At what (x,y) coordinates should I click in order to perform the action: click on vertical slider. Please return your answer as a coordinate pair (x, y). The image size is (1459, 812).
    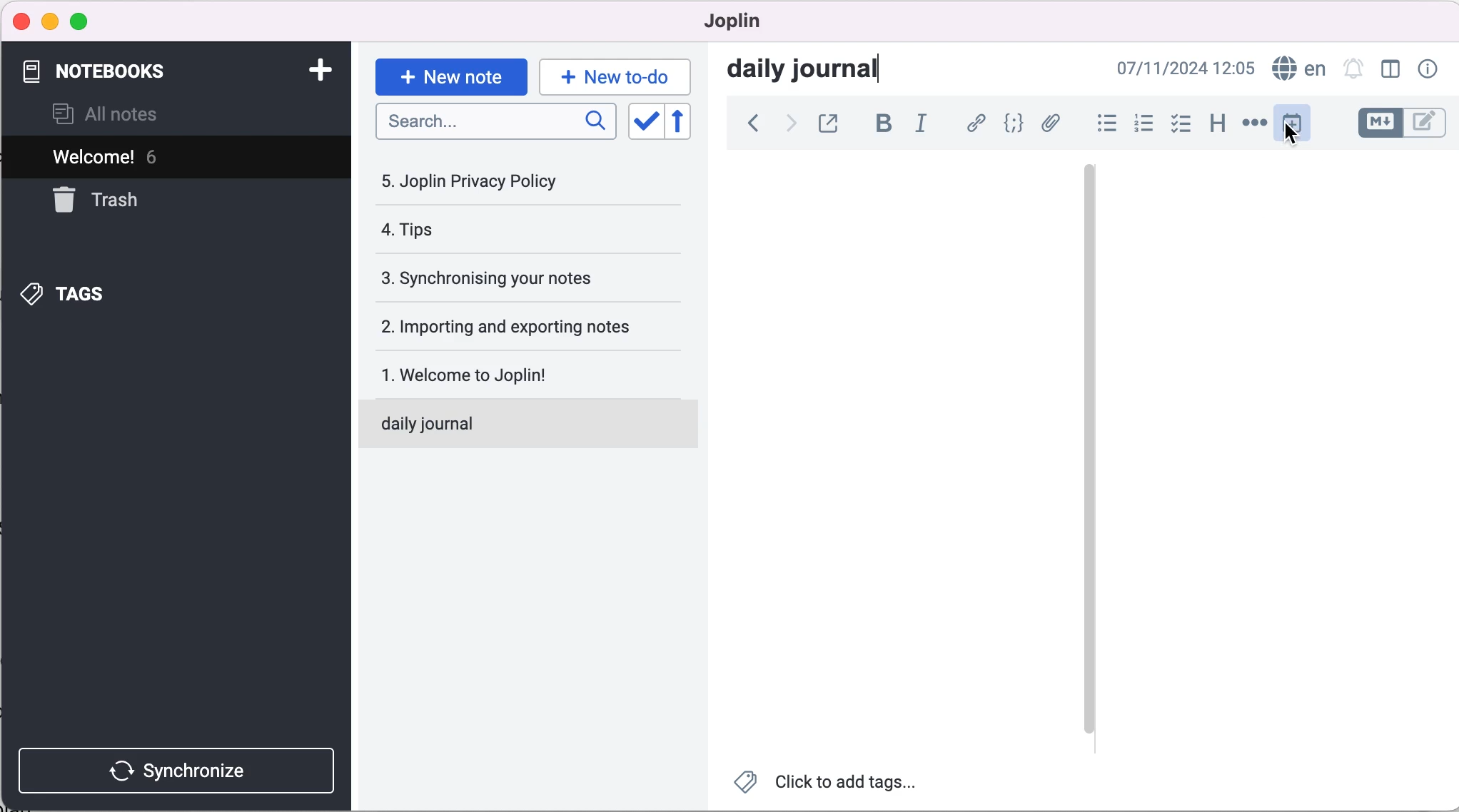
    Looking at the image, I should click on (1091, 199).